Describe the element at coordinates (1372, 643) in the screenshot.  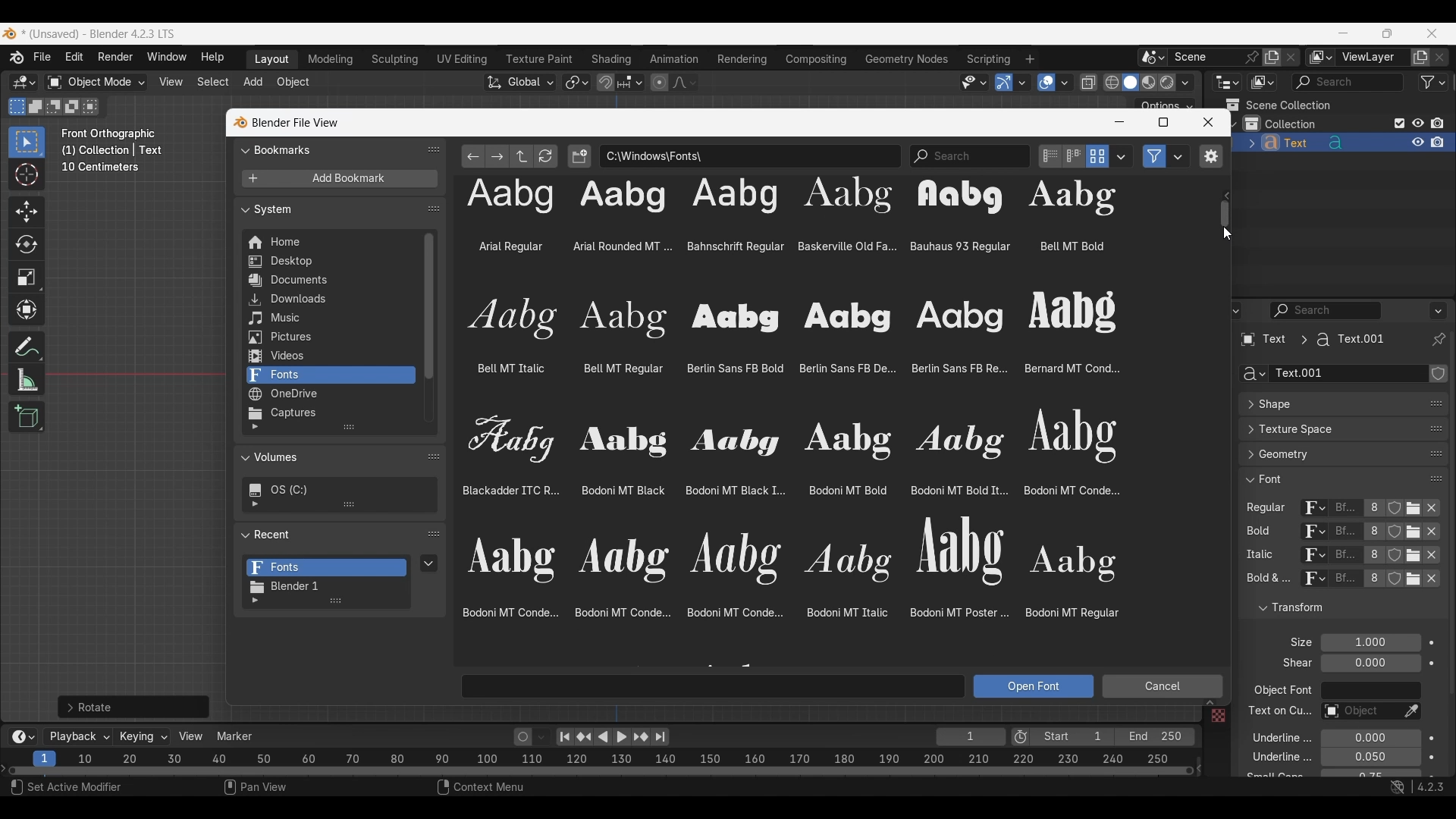
I see `Font size` at that location.